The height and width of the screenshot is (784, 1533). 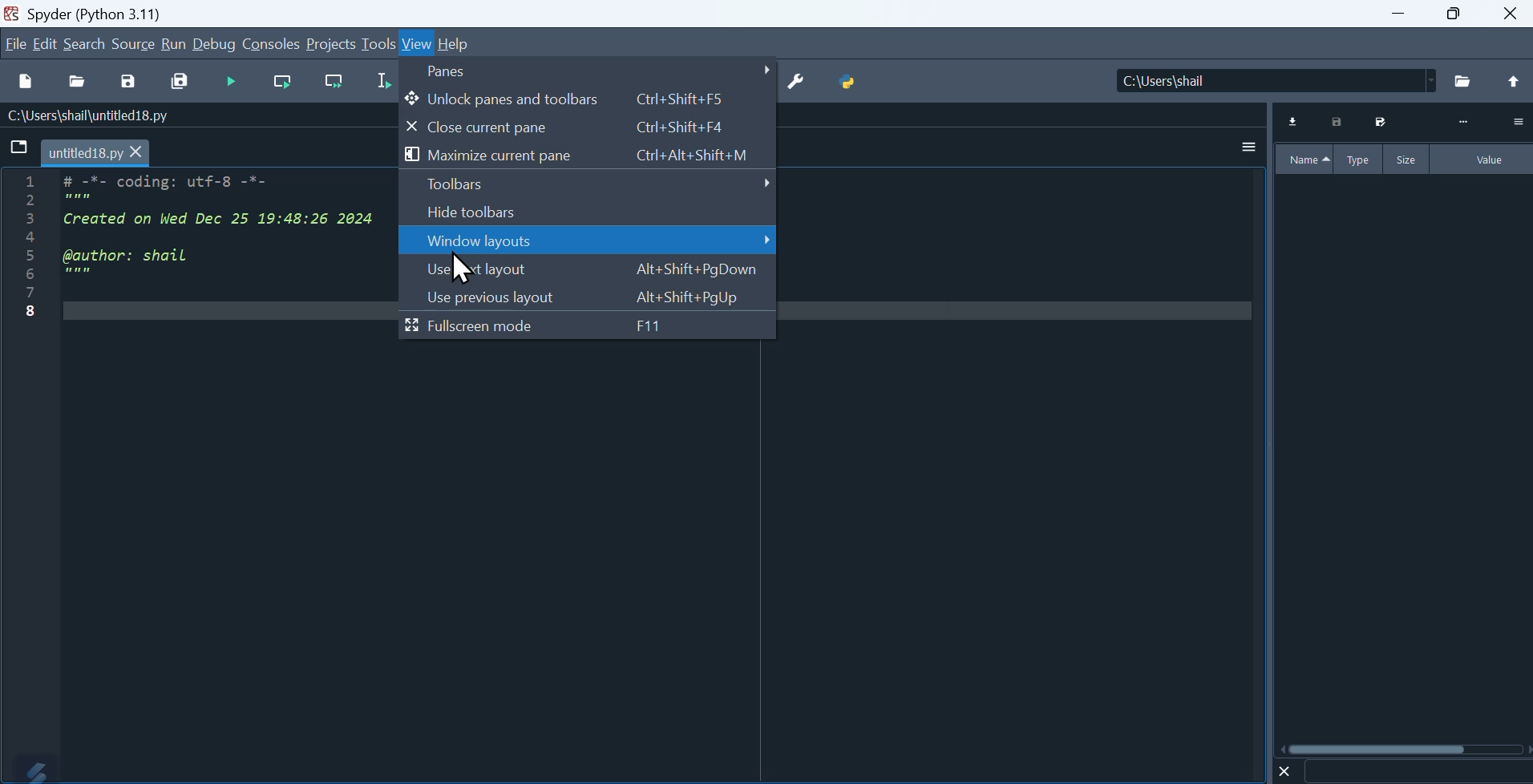 I want to click on Edit, so click(x=47, y=43).